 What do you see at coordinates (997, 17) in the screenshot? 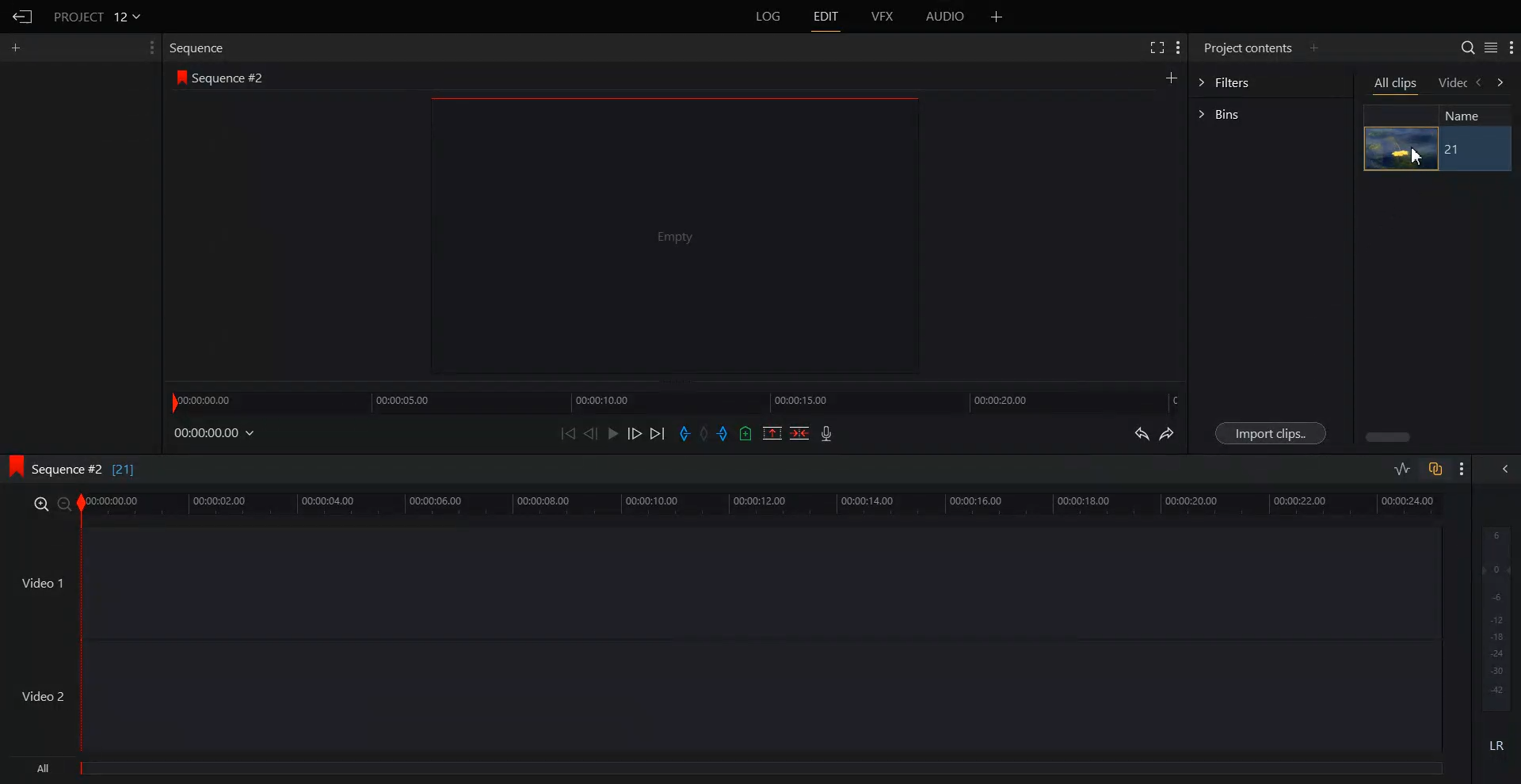
I see `Add File` at bounding box center [997, 17].